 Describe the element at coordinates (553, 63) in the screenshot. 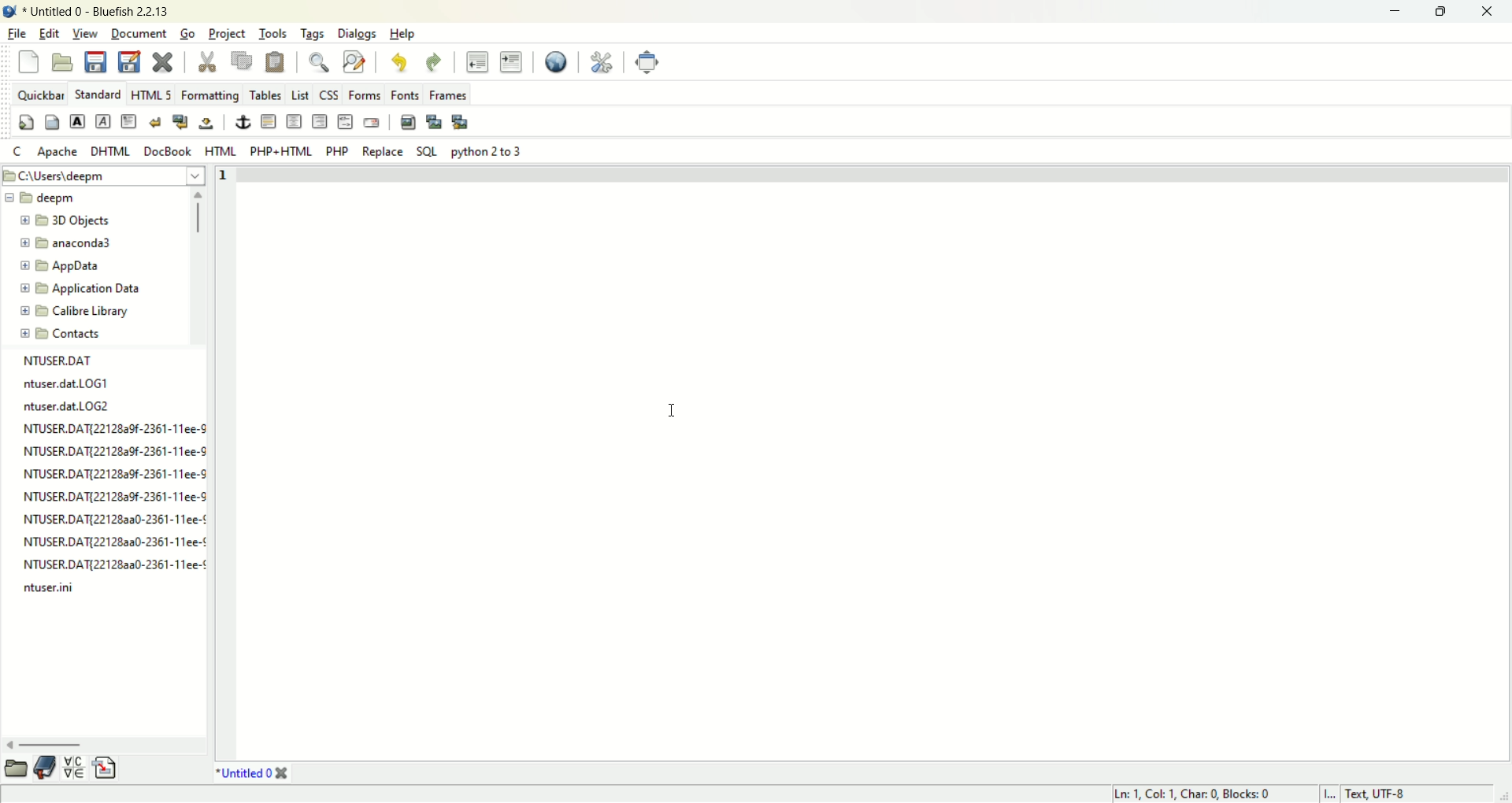

I see `view in browser` at that location.